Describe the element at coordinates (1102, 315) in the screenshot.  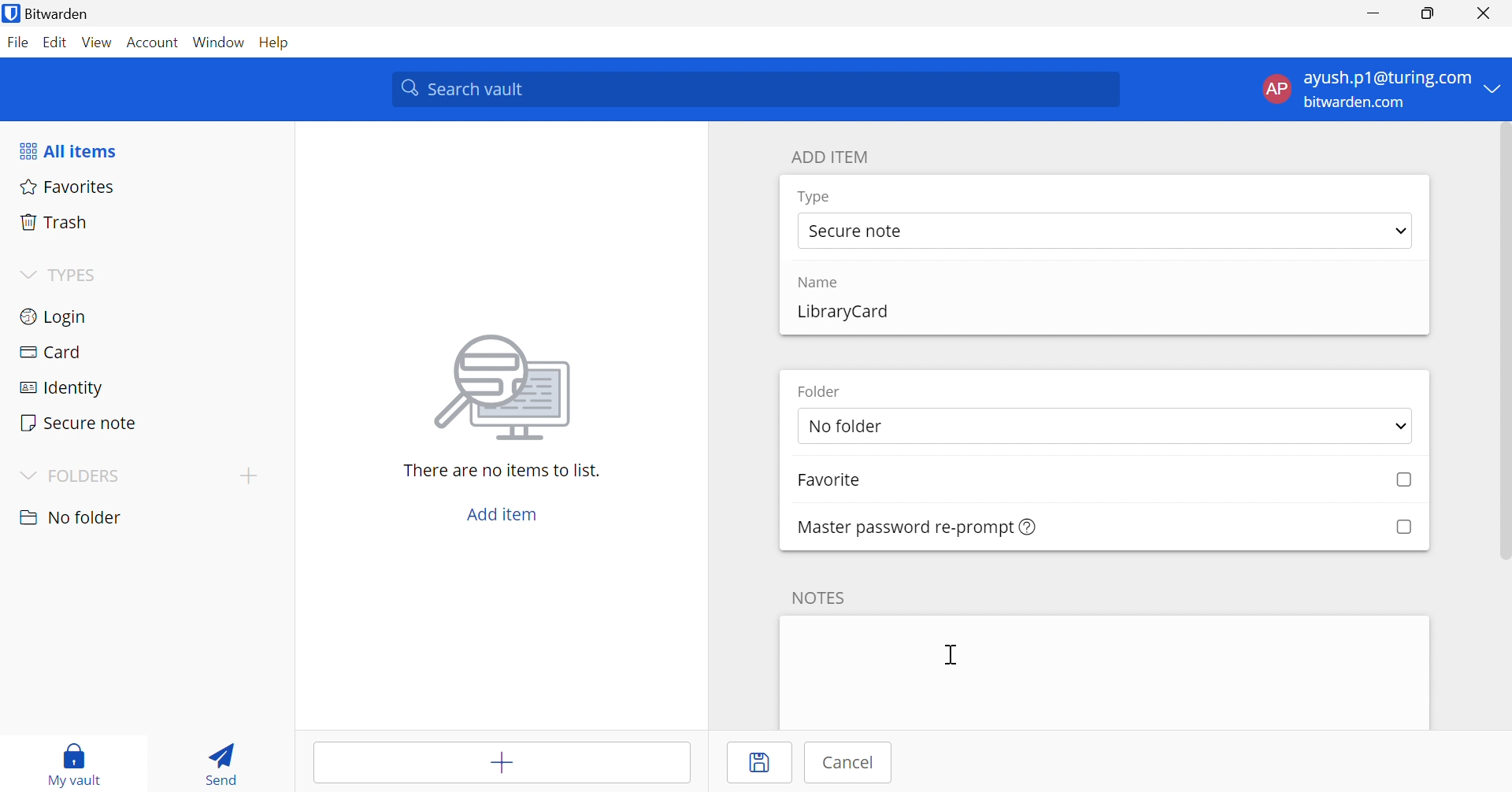
I see `add name` at that location.